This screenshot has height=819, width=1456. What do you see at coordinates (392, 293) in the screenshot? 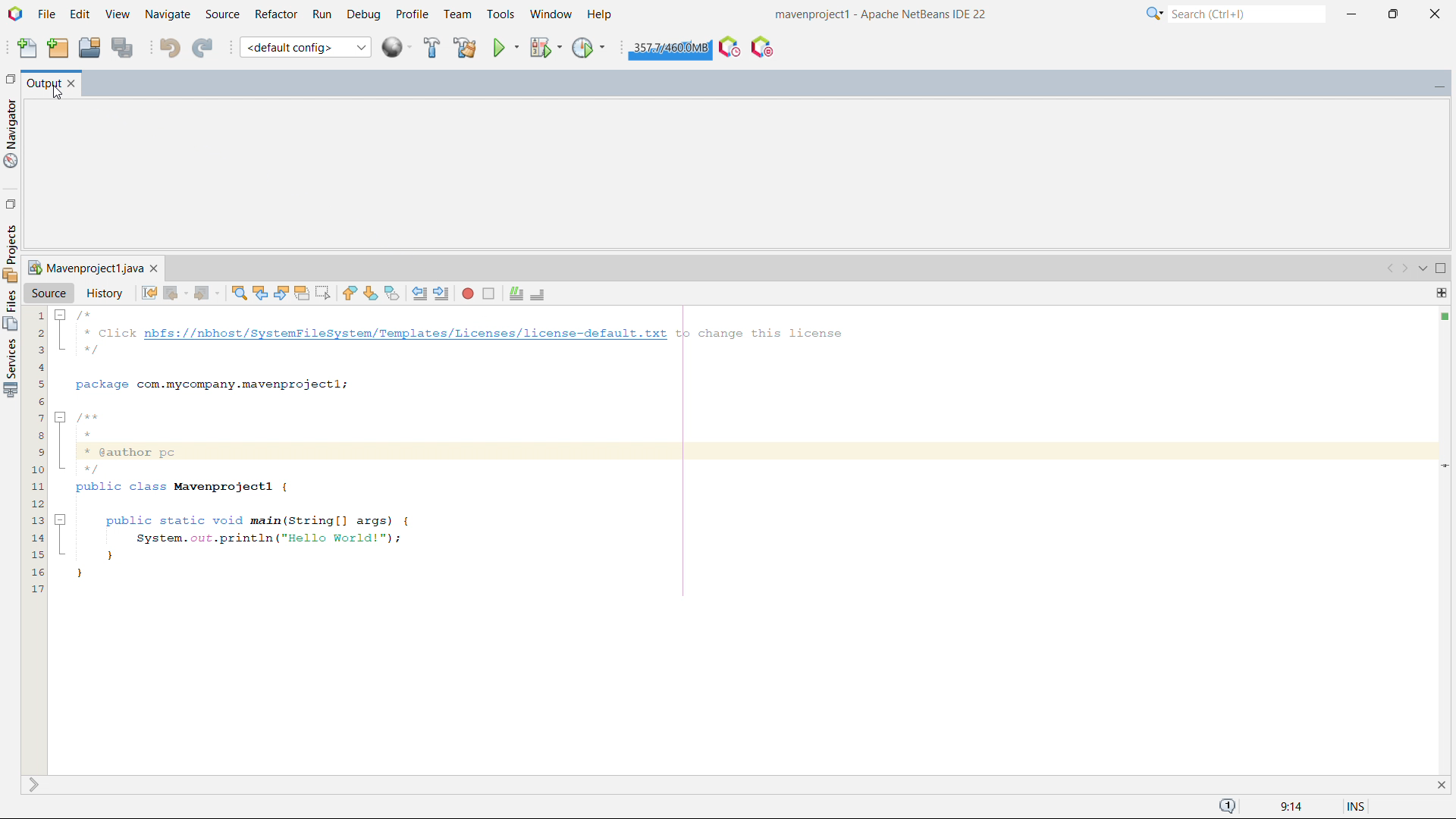
I see `toggle bookmark` at bounding box center [392, 293].